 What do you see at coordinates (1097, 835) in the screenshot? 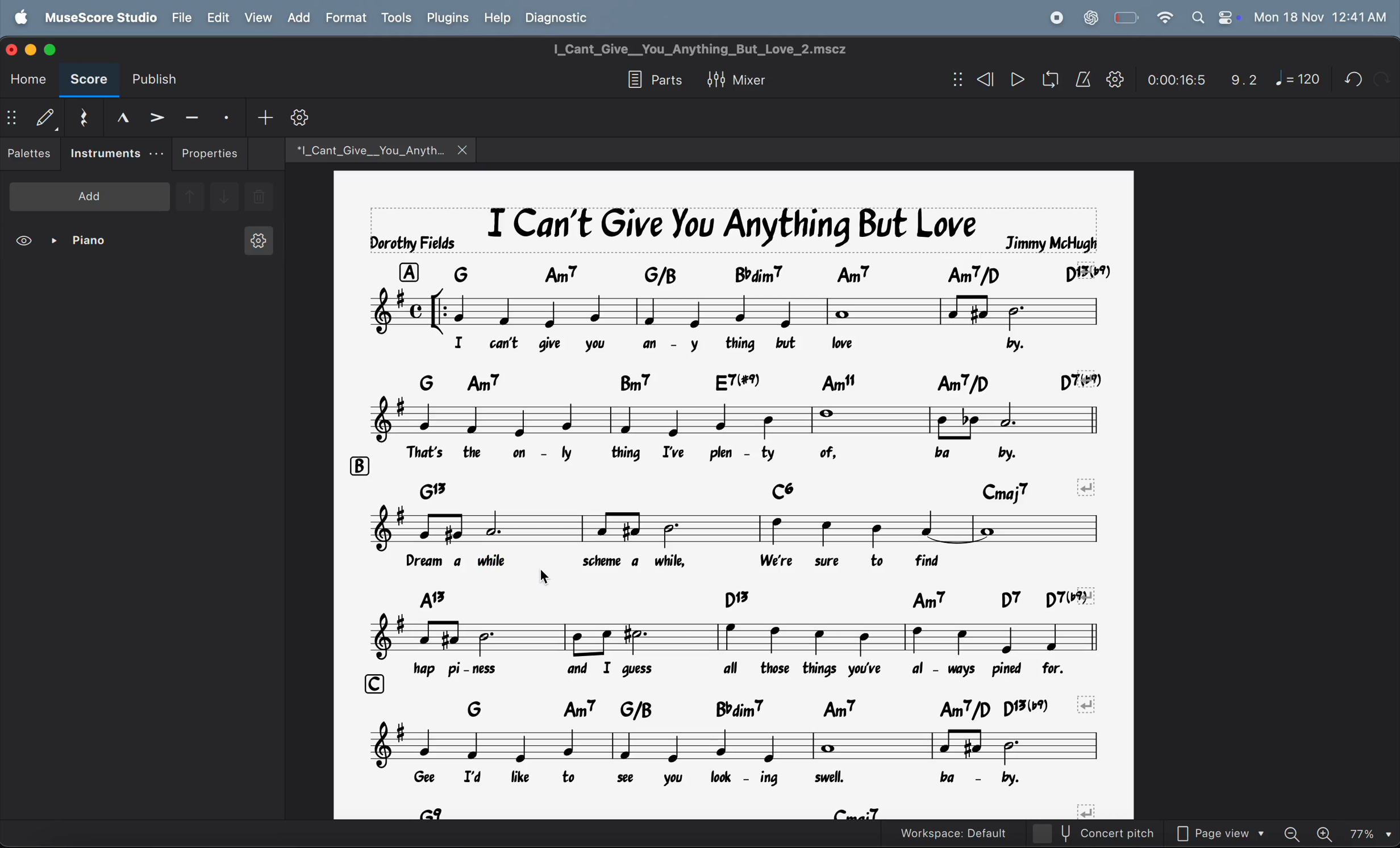
I see `concert pitch` at bounding box center [1097, 835].